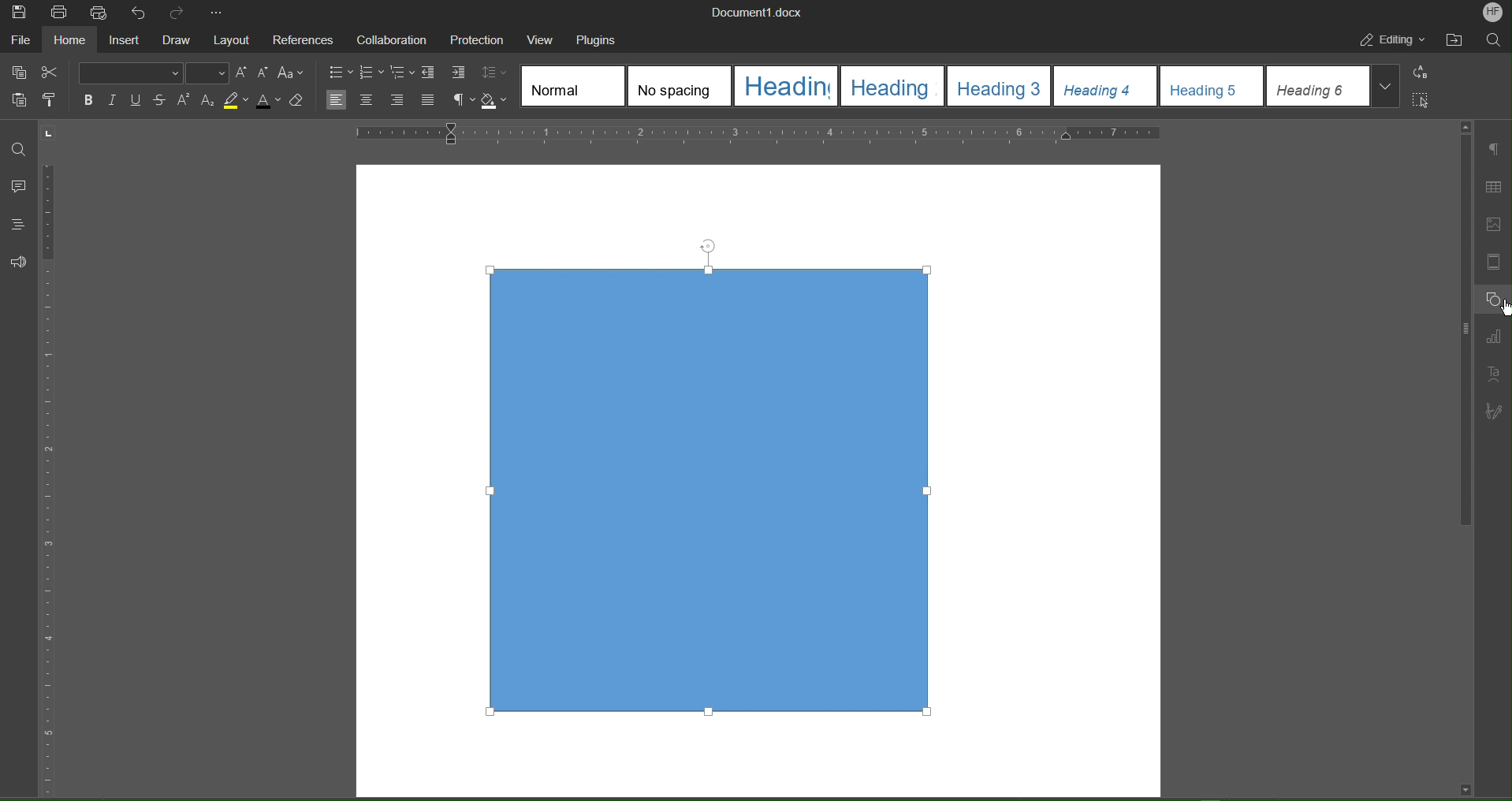 Image resolution: width=1512 pixels, height=801 pixels. Describe the element at coordinates (236, 102) in the screenshot. I see `Highlight` at that location.